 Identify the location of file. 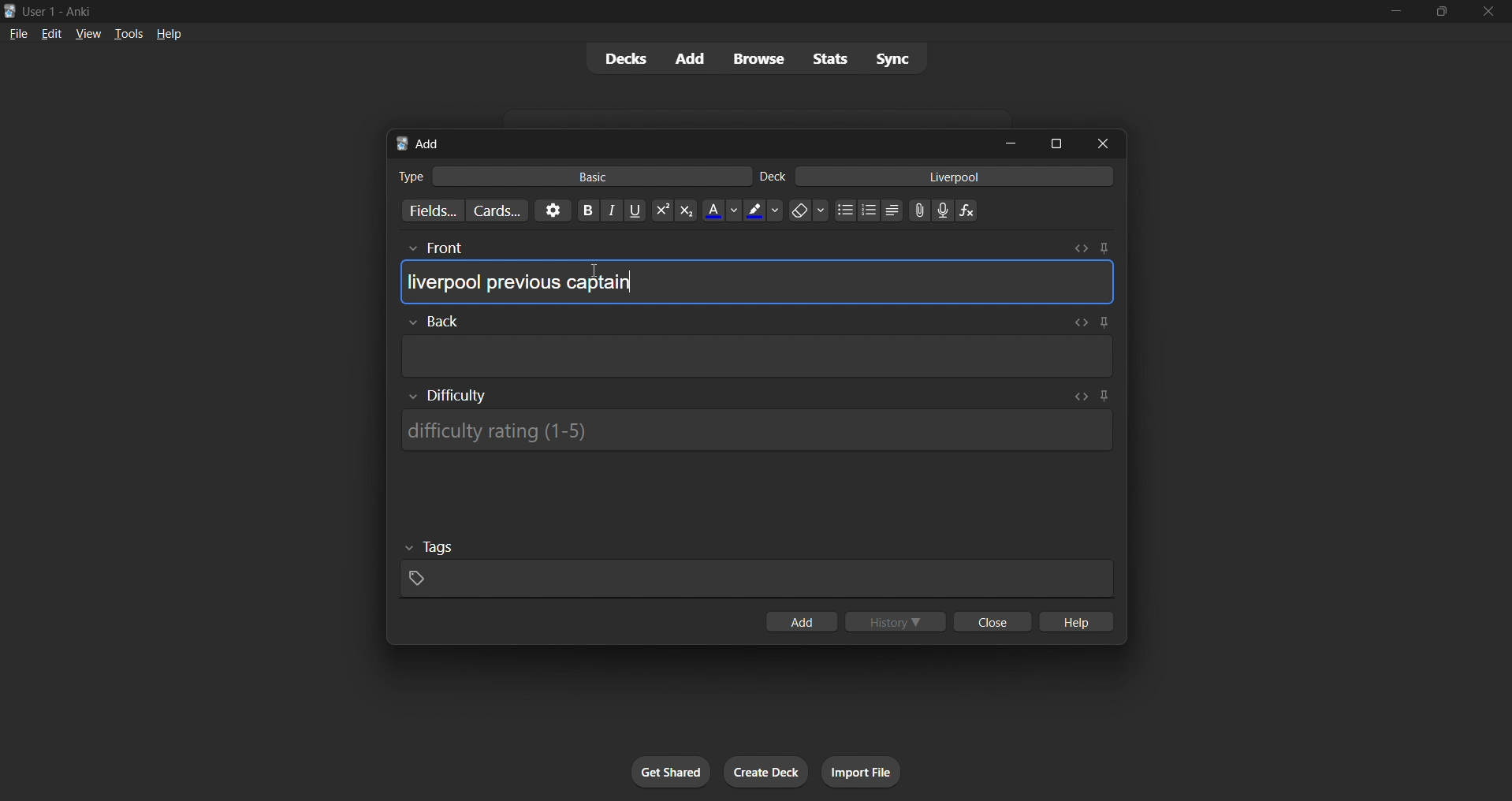
(15, 33).